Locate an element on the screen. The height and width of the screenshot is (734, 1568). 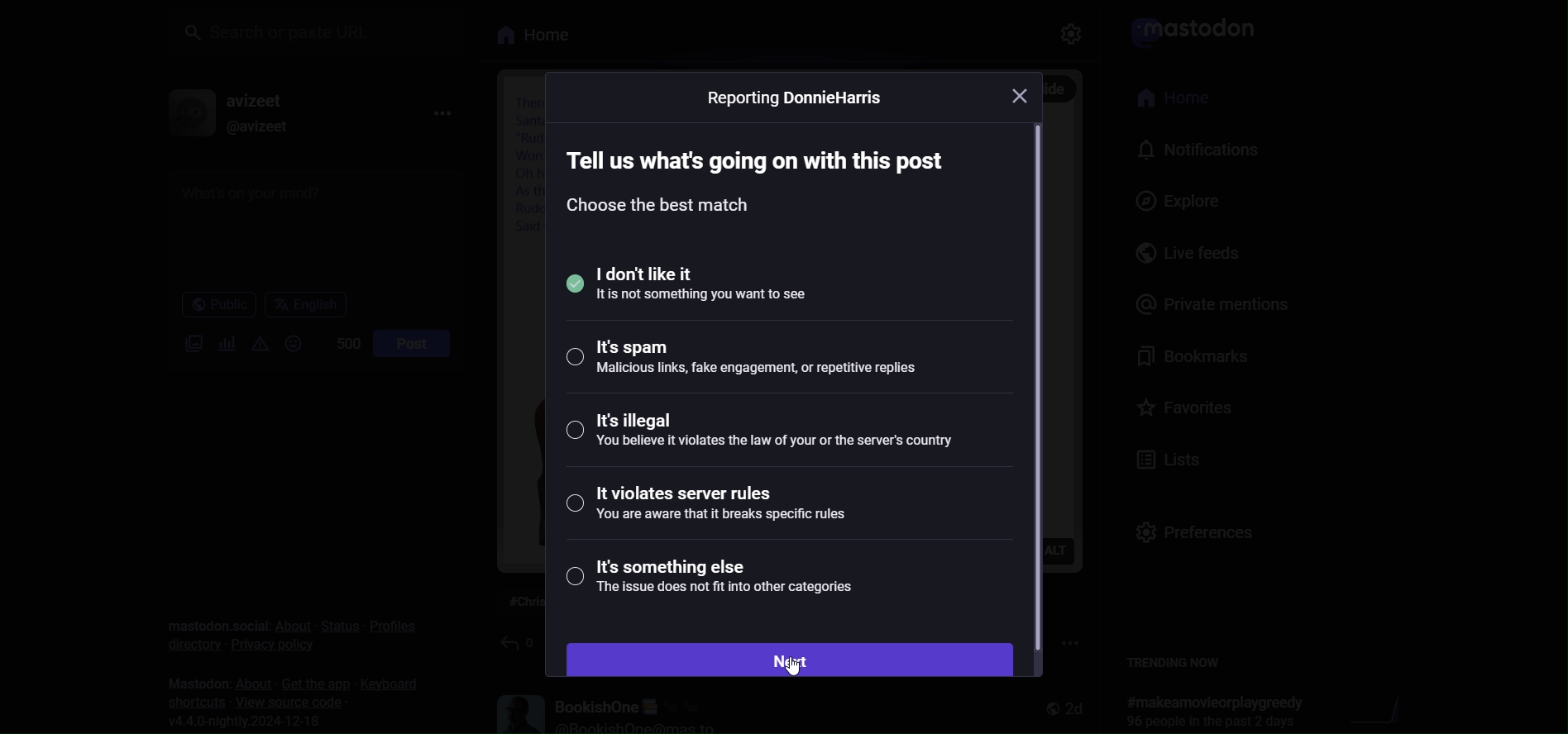
Nee is located at coordinates (790, 659).